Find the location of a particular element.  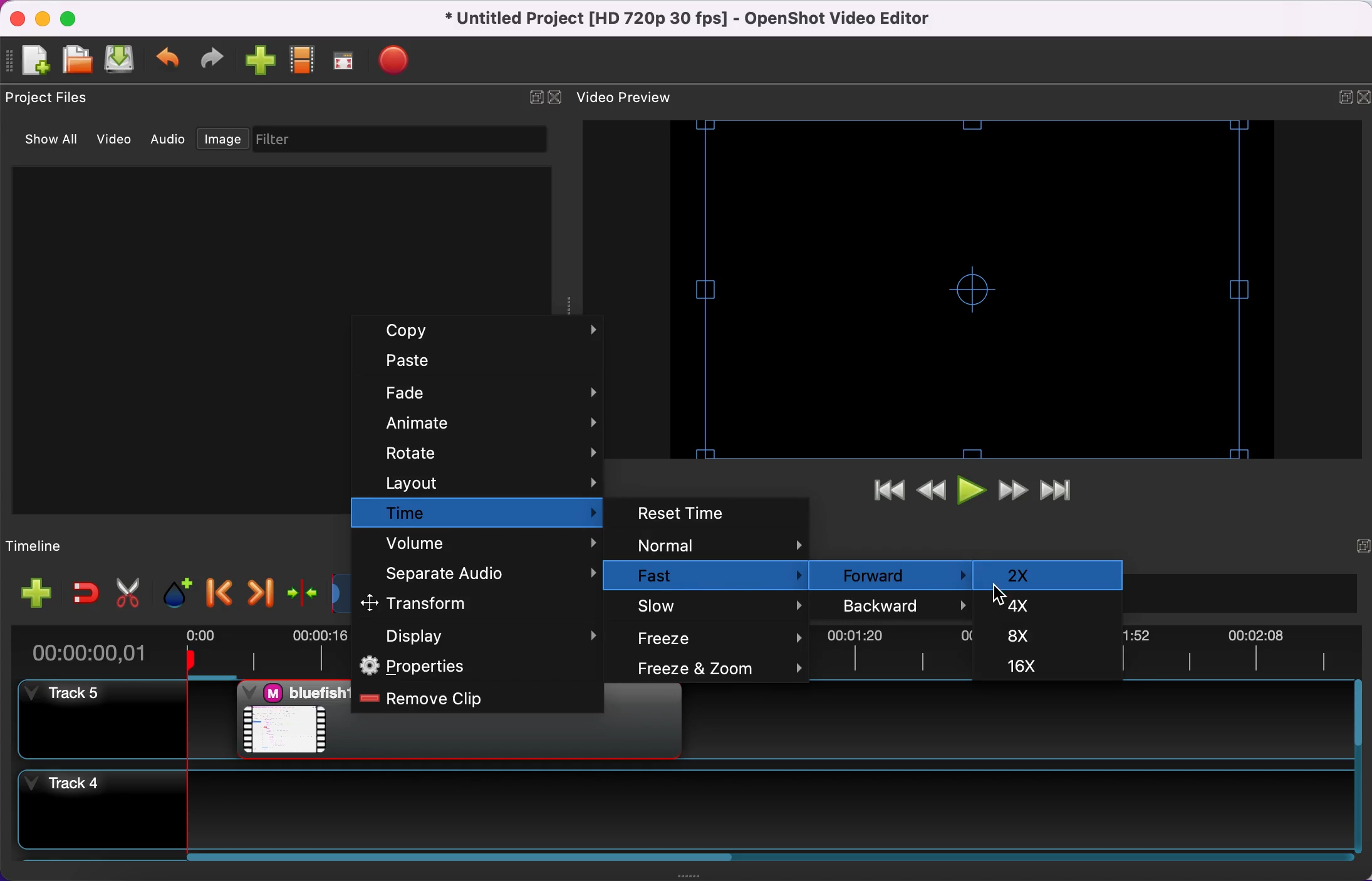

title - • Untitled Project [HD 720p 30 fps] - OpenShot Video Editor is located at coordinates (725, 20).